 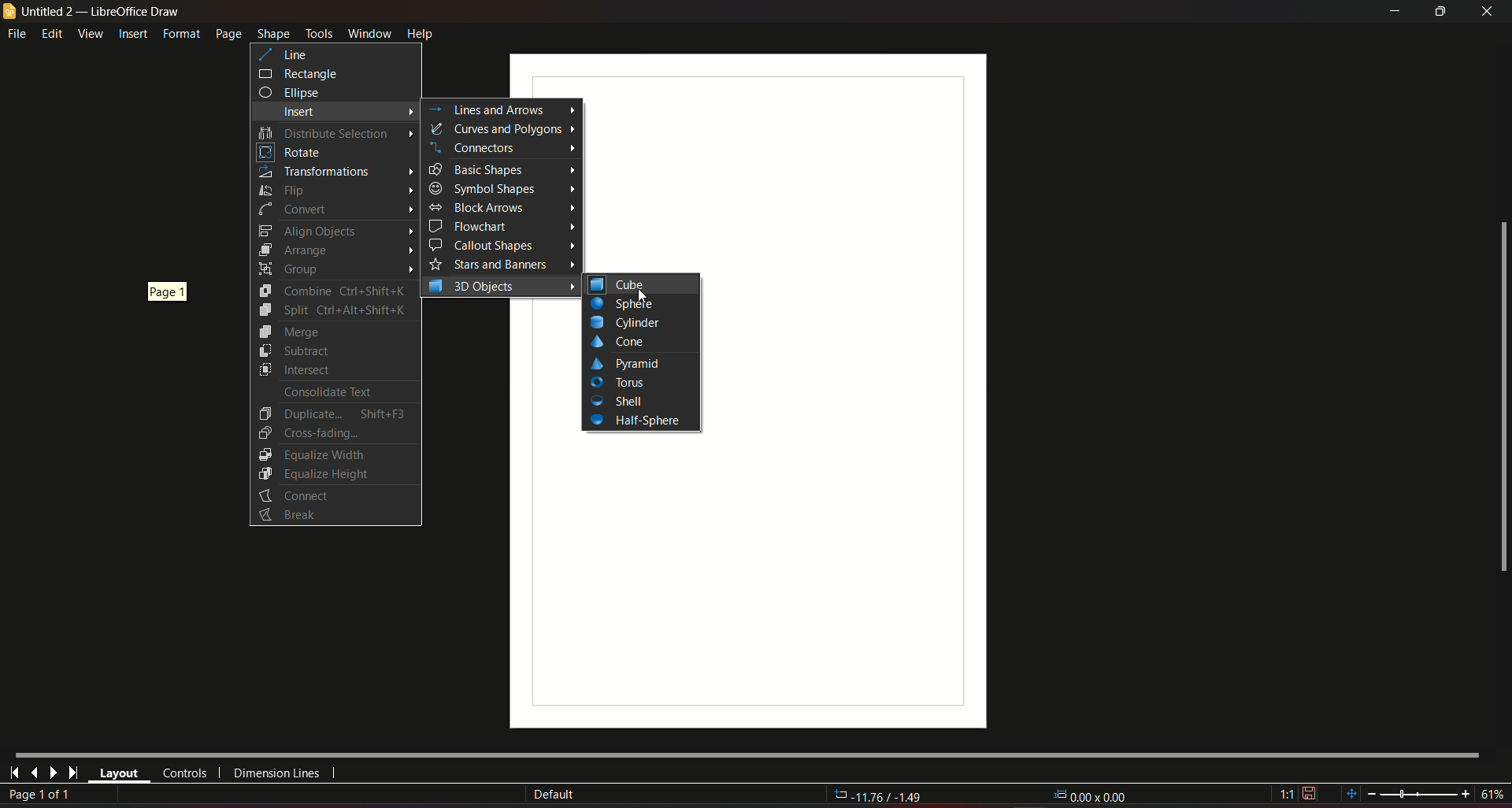 What do you see at coordinates (407, 249) in the screenshot?
I see `Arrow` at bounding box center [407, 249].